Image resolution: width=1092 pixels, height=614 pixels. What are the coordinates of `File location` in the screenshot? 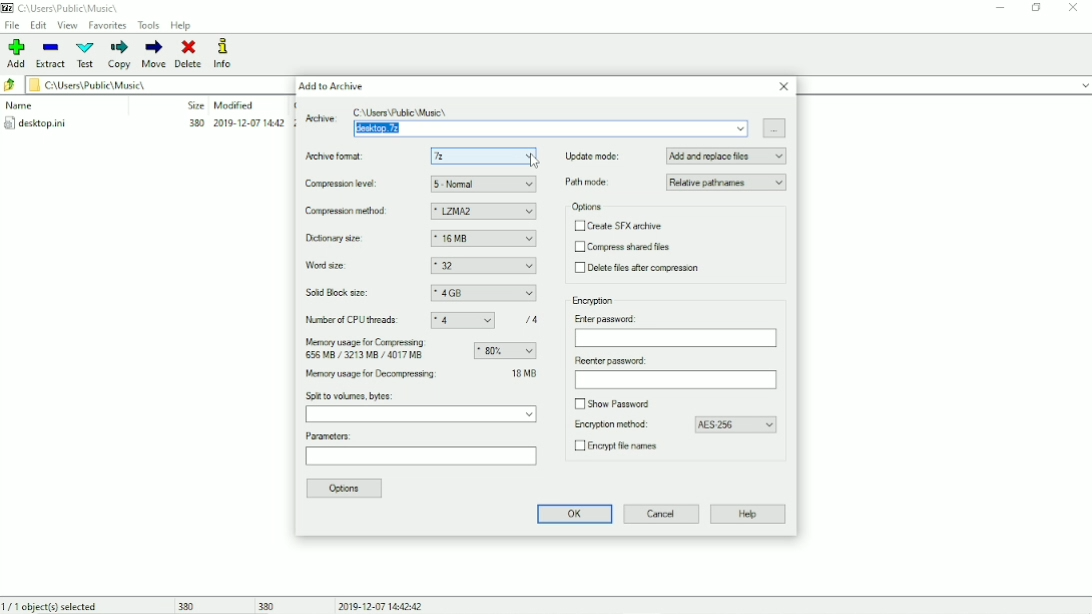 It's located at (152, 84).